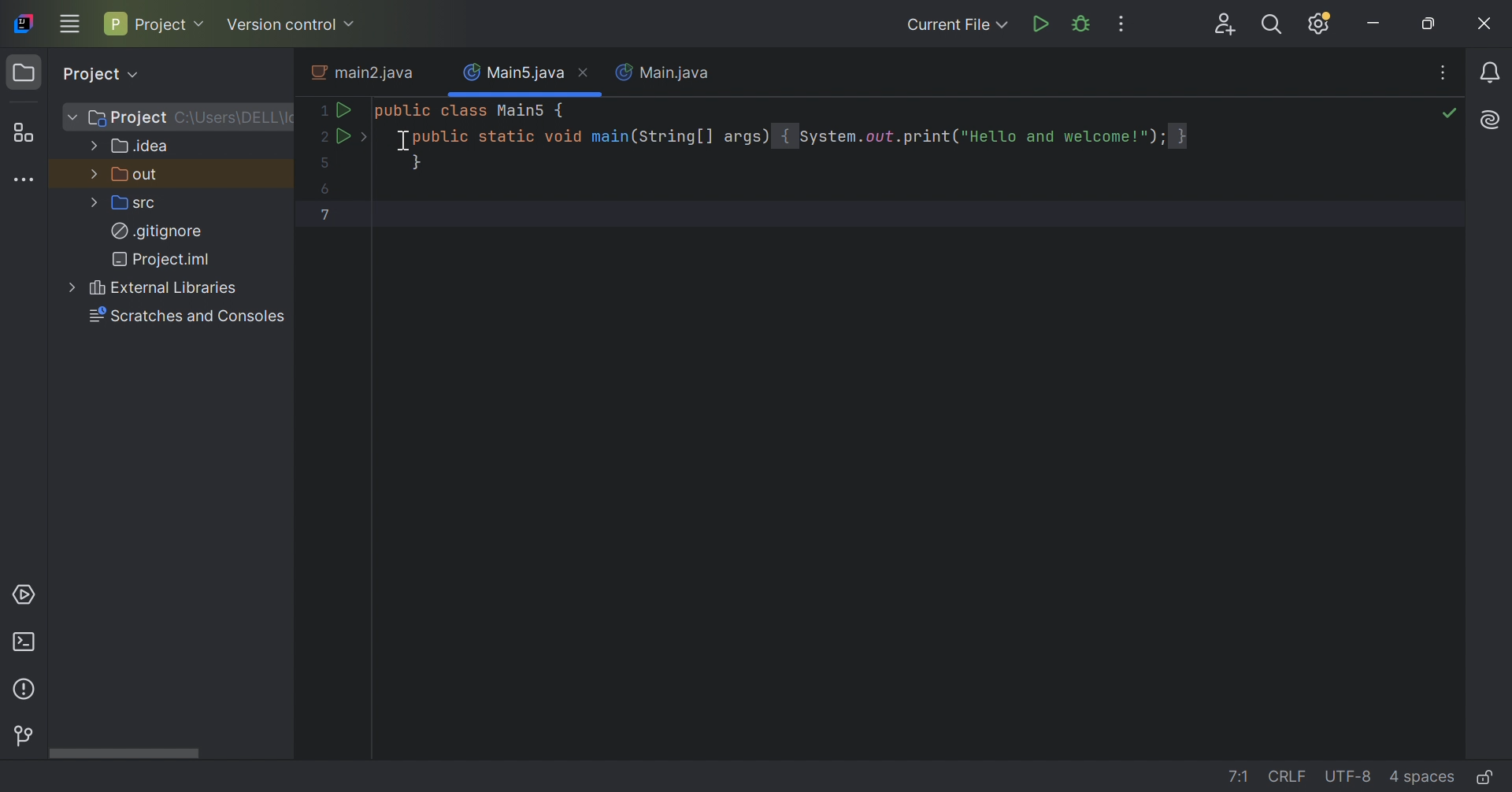  What do you see at coordinates (364, 138) in the screenshot?
I see `drop down` at bounding box center [364, 138].